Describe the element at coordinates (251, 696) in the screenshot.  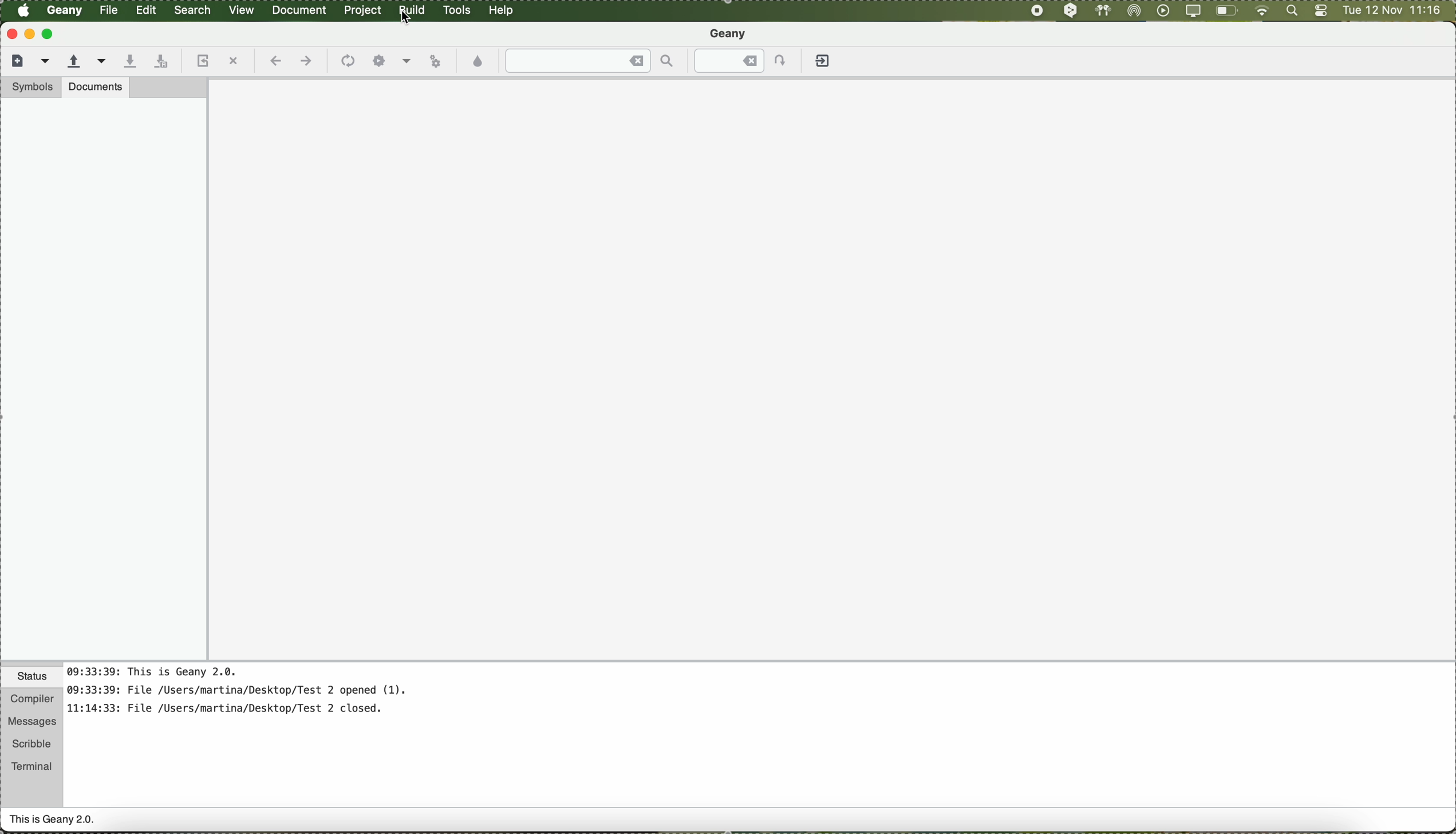
I see `notes` at that location.